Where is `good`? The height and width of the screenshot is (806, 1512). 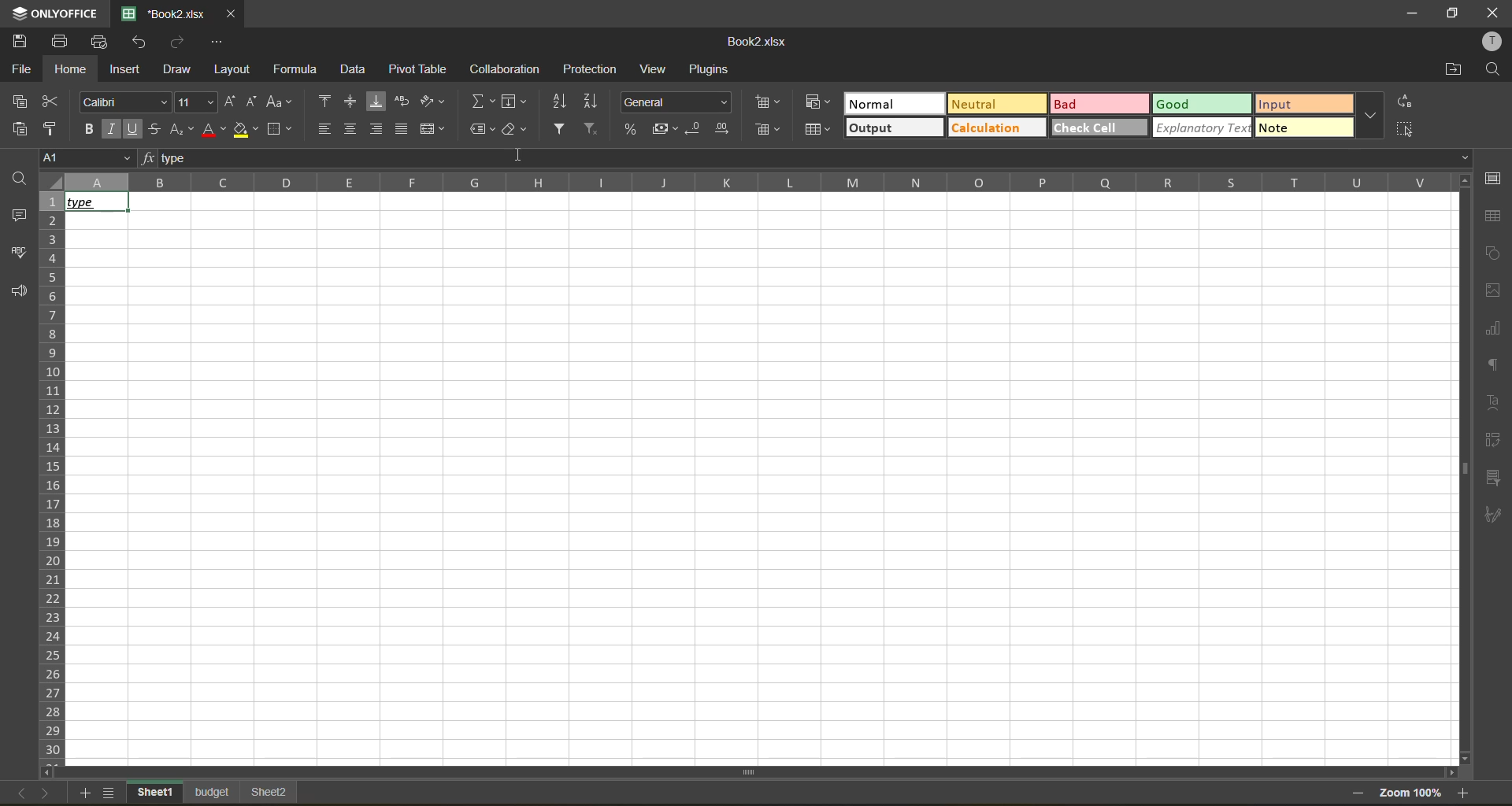
good is located at coordinates (1207, 105).